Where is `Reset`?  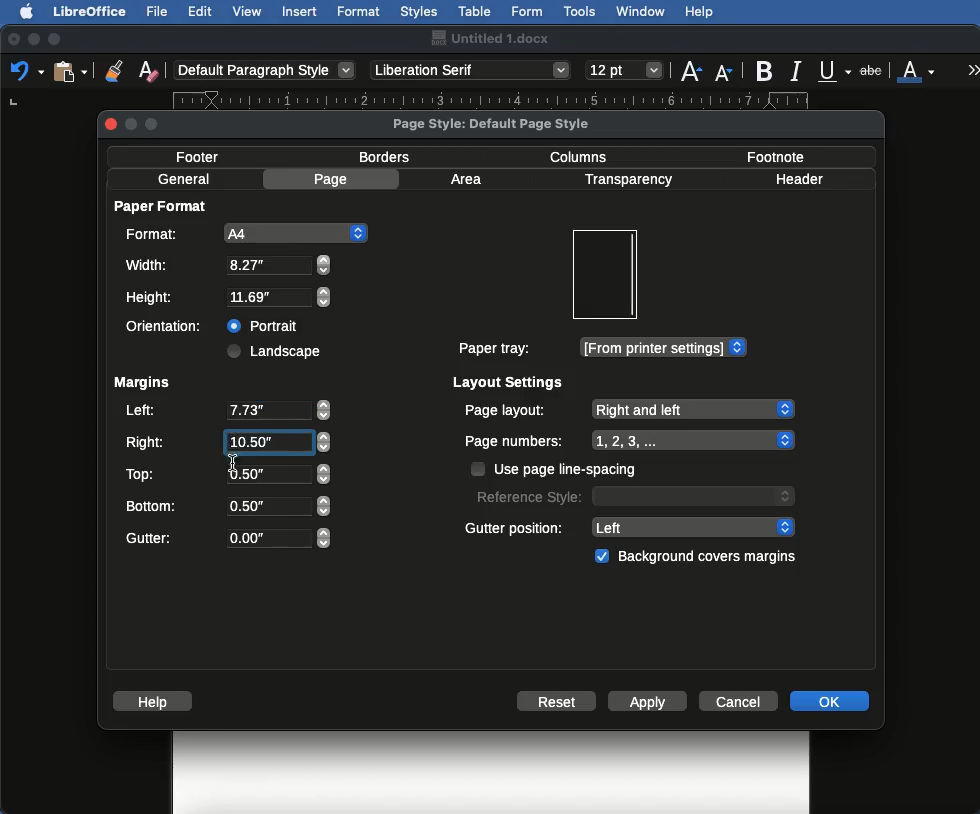 Reset is located at coordinates (557, 703).